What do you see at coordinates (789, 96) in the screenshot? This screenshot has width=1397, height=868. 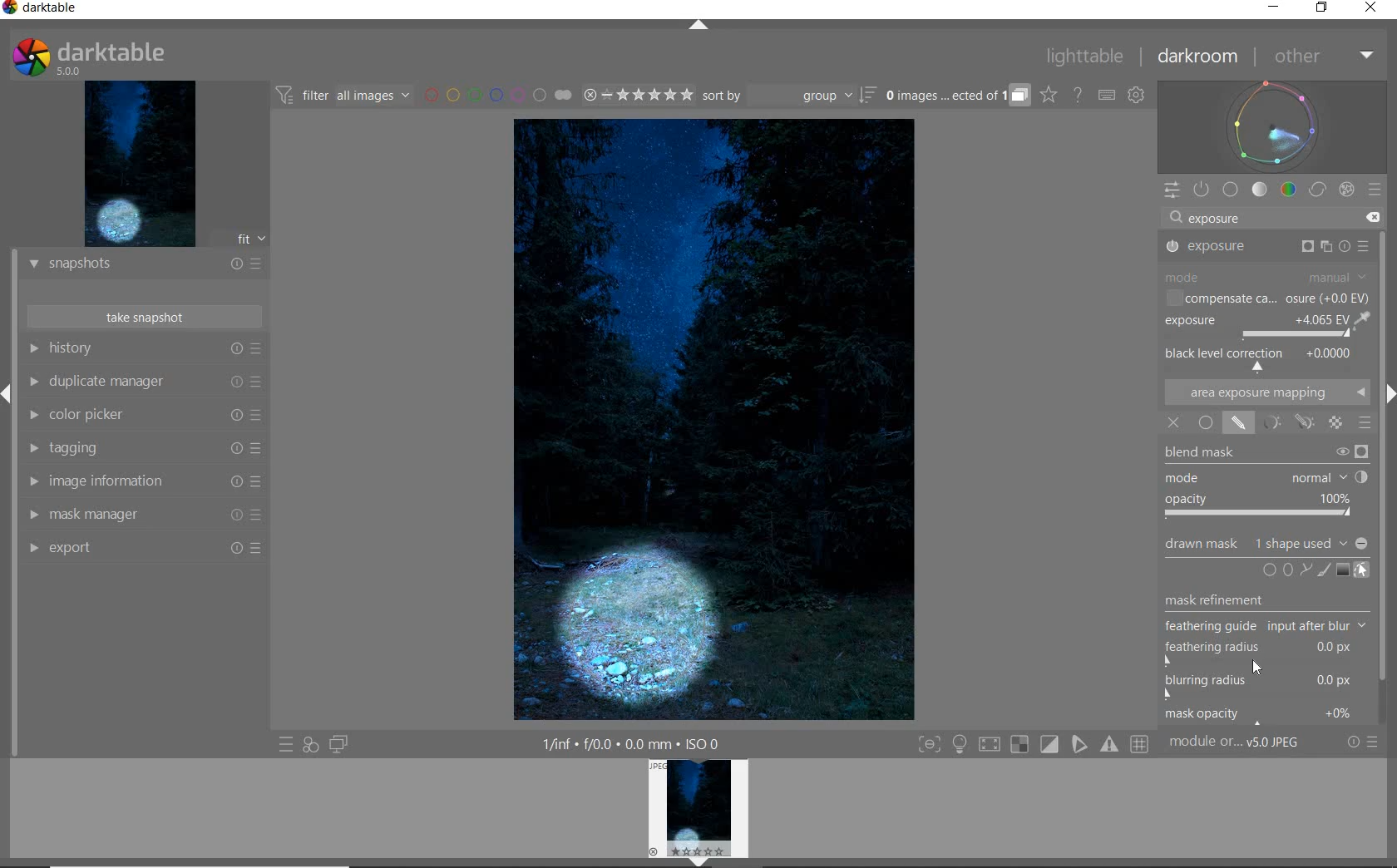 I see `SORT` at bounding box center [789, 96].